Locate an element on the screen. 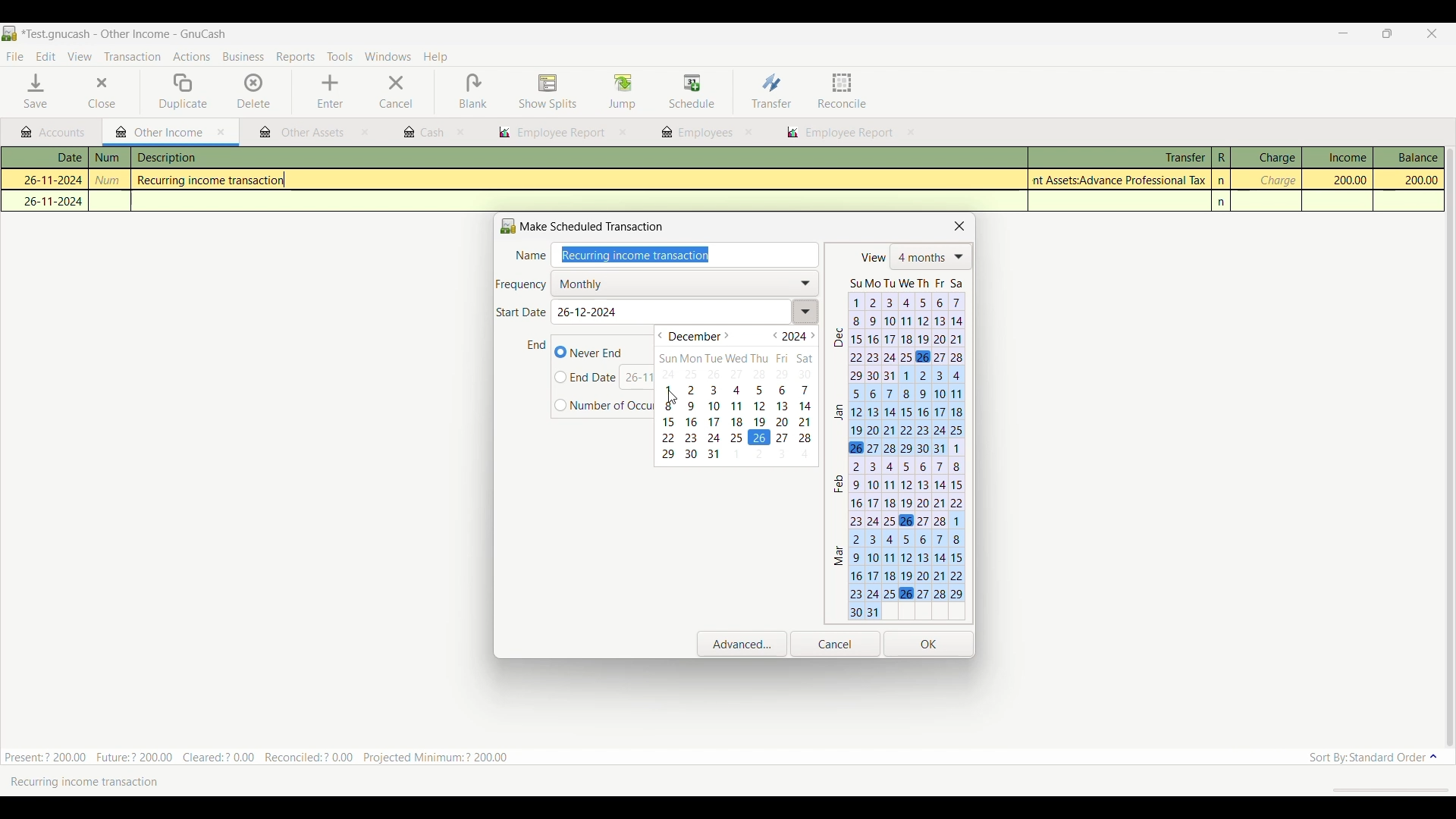 Image resolution: width=1456 pixels, height=819 pixels. Charge column is located at coordinates (1266, 158).